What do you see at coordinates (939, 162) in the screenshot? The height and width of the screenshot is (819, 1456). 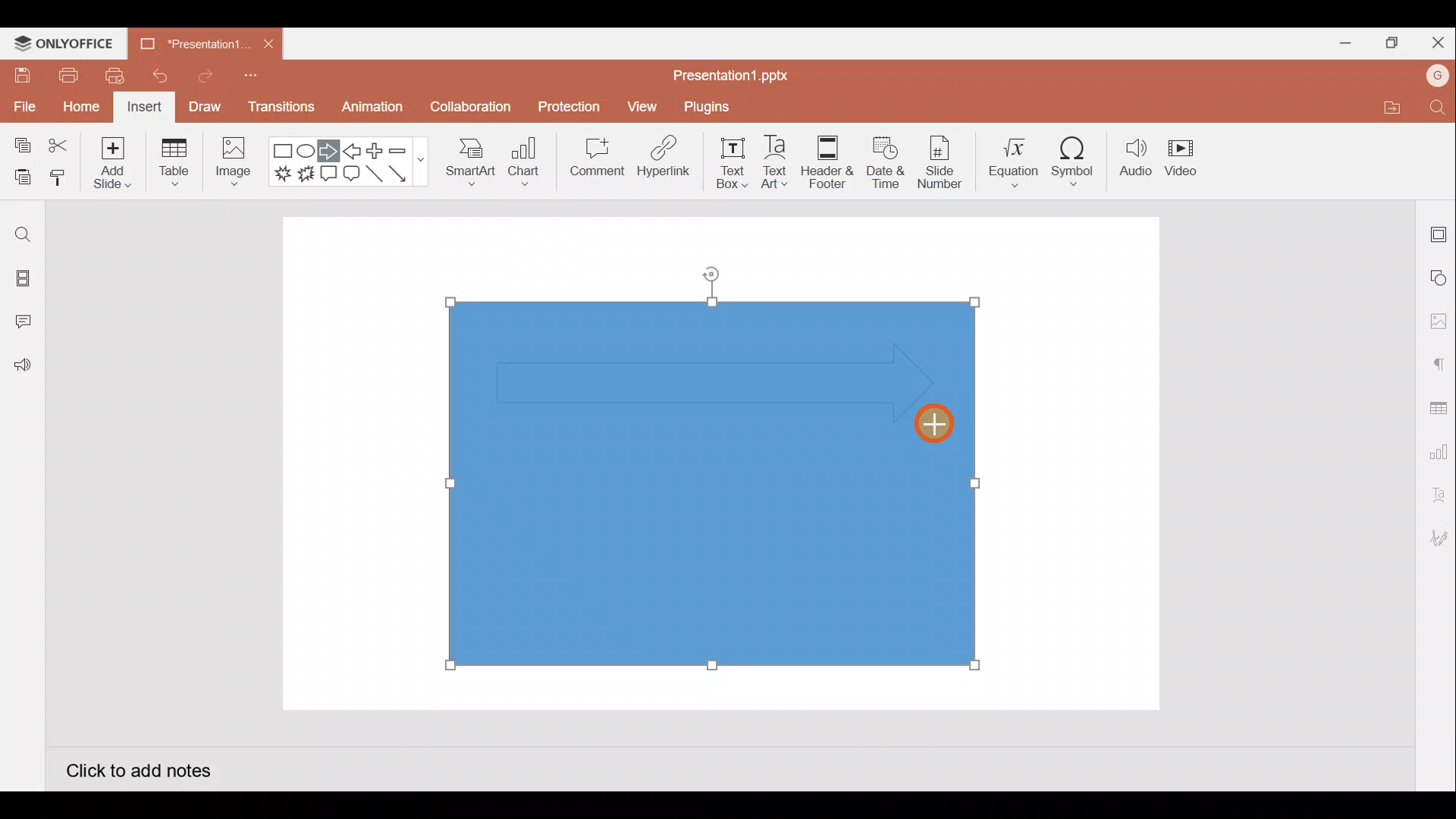 I see `Slide number` at bounding box center [939, 162].